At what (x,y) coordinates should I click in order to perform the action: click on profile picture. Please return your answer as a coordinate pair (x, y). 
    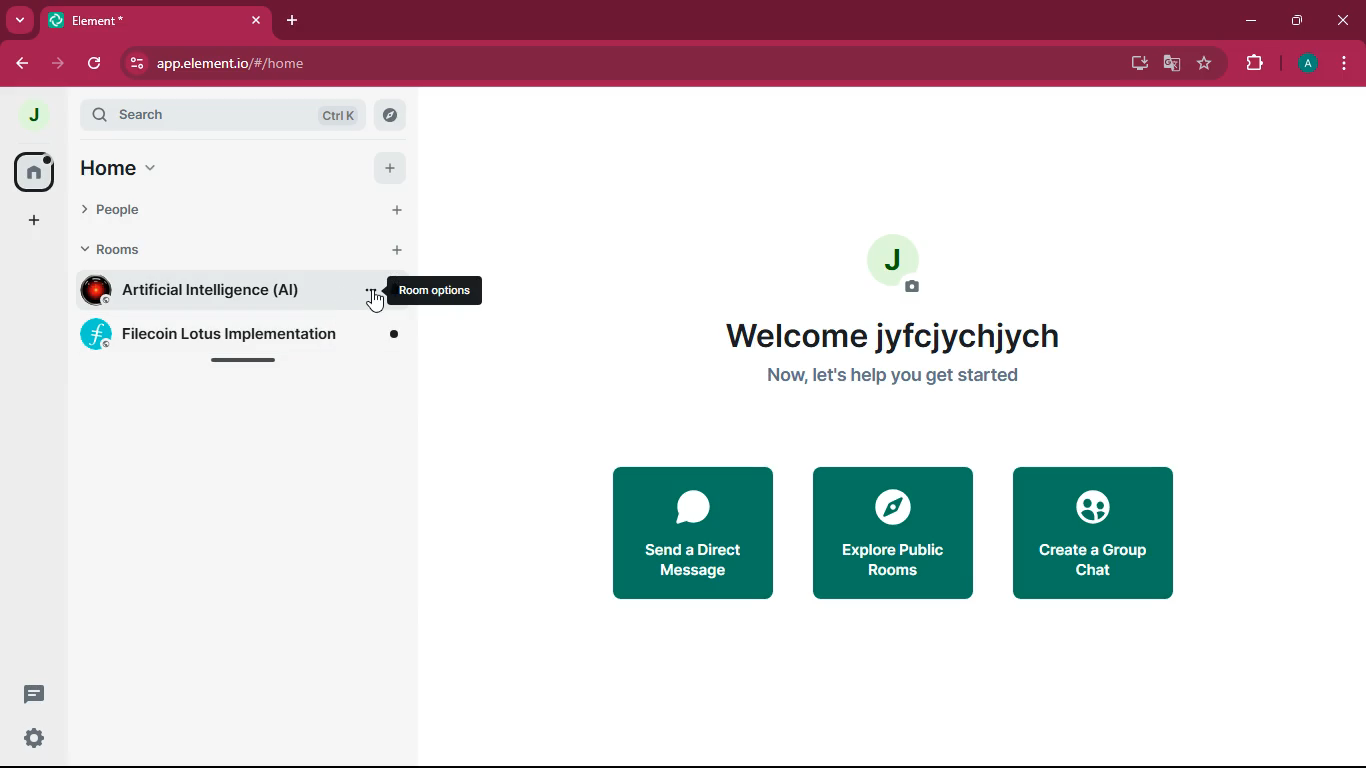
    Looking at the image, I should click on (38, 117).